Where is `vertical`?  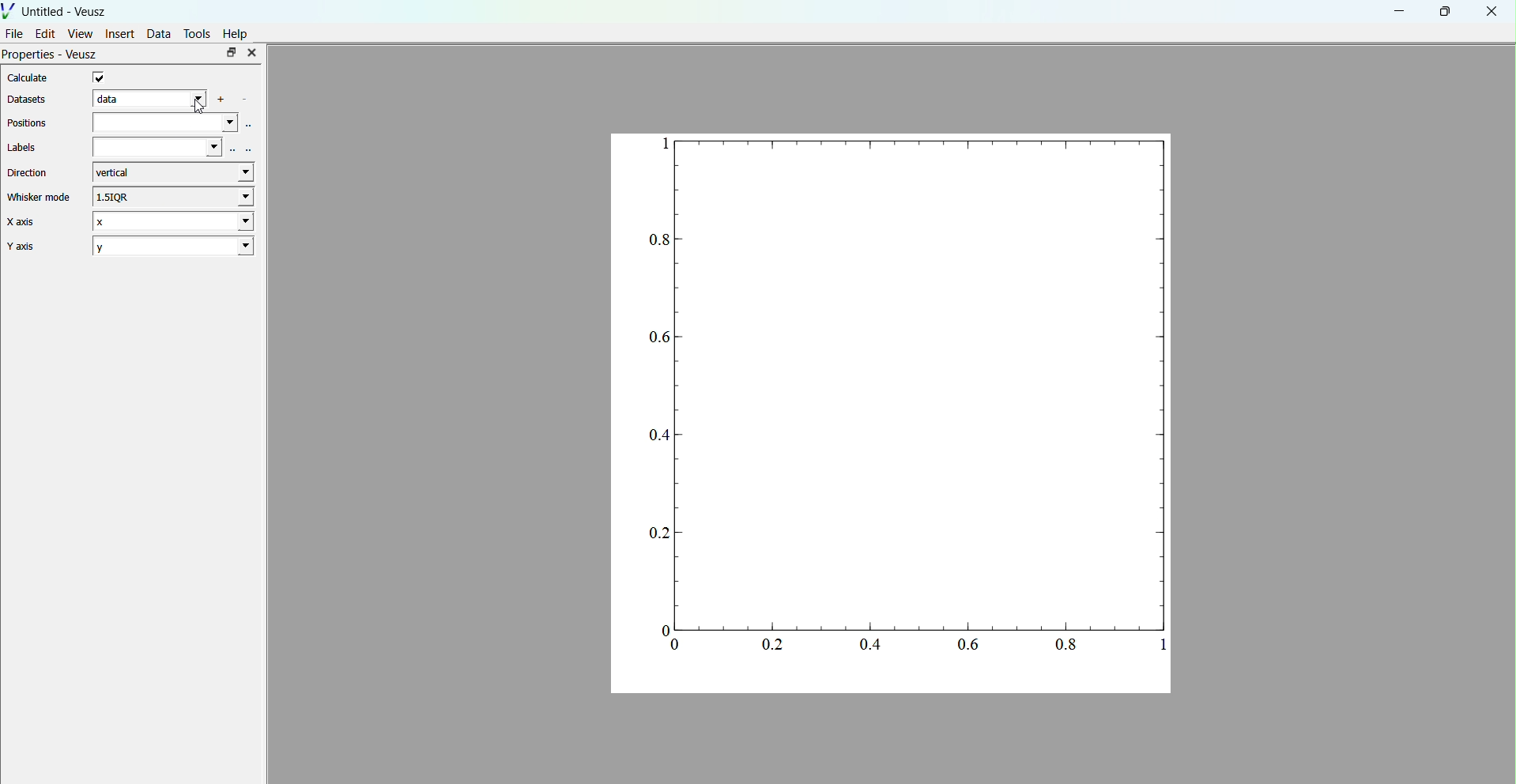
vertical is located at coordinates (177, 172).